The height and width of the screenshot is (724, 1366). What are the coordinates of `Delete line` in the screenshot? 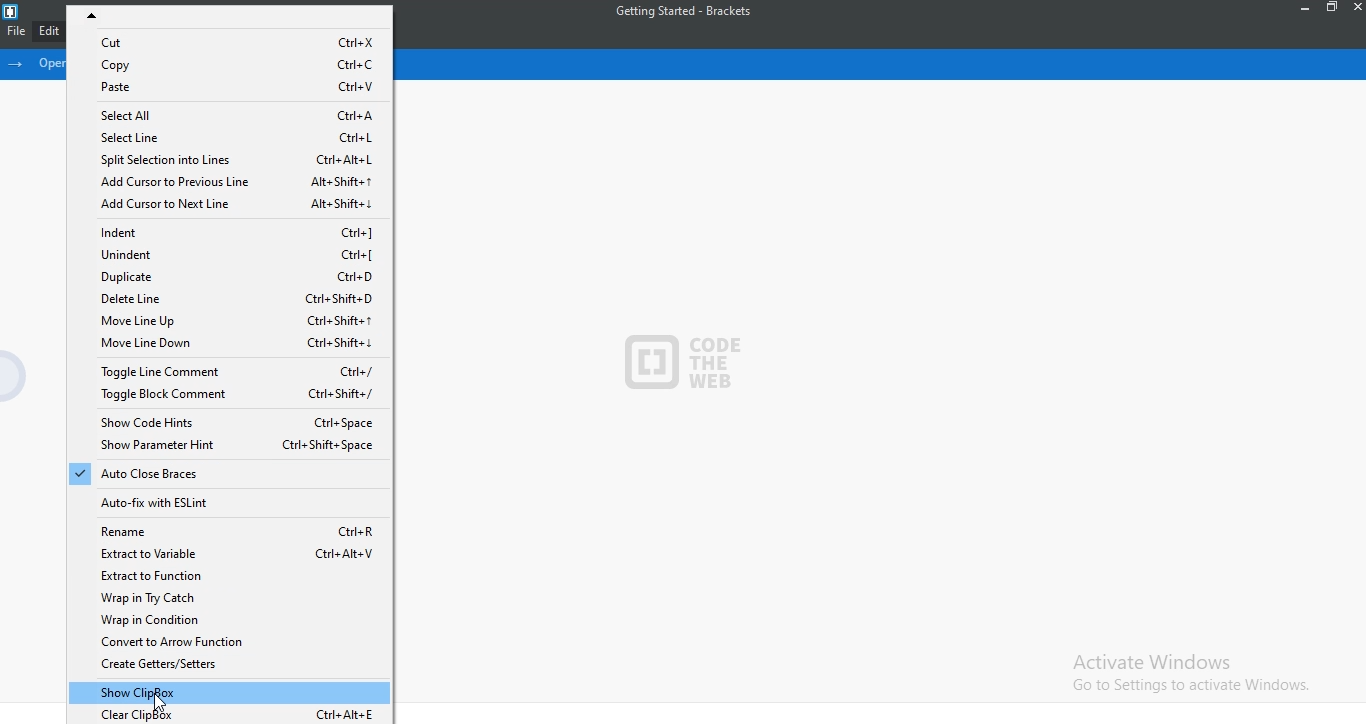 It's located at (222, 301).